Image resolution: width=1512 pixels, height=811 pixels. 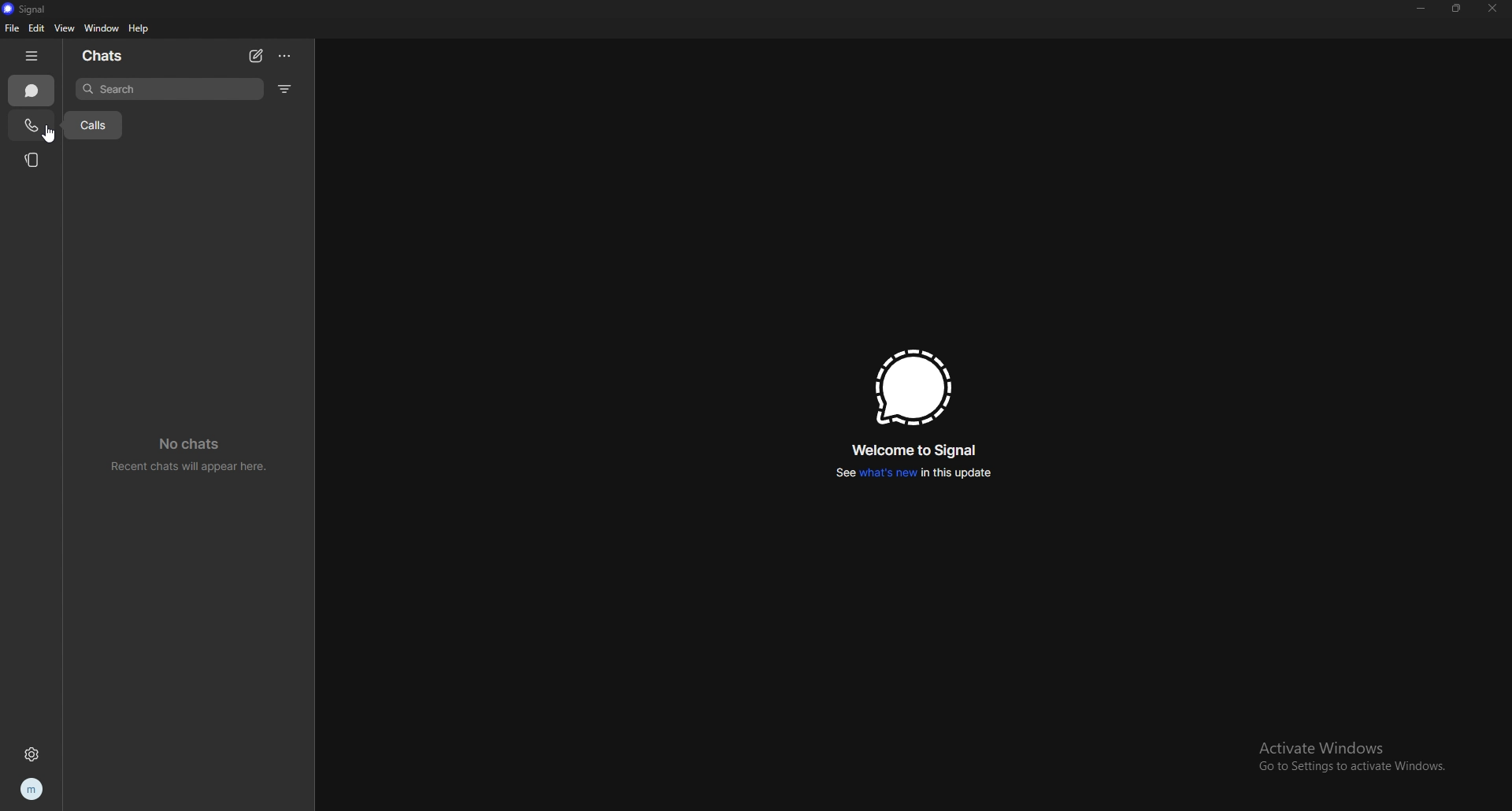 I want to click on window, so click(x=102, y=28).